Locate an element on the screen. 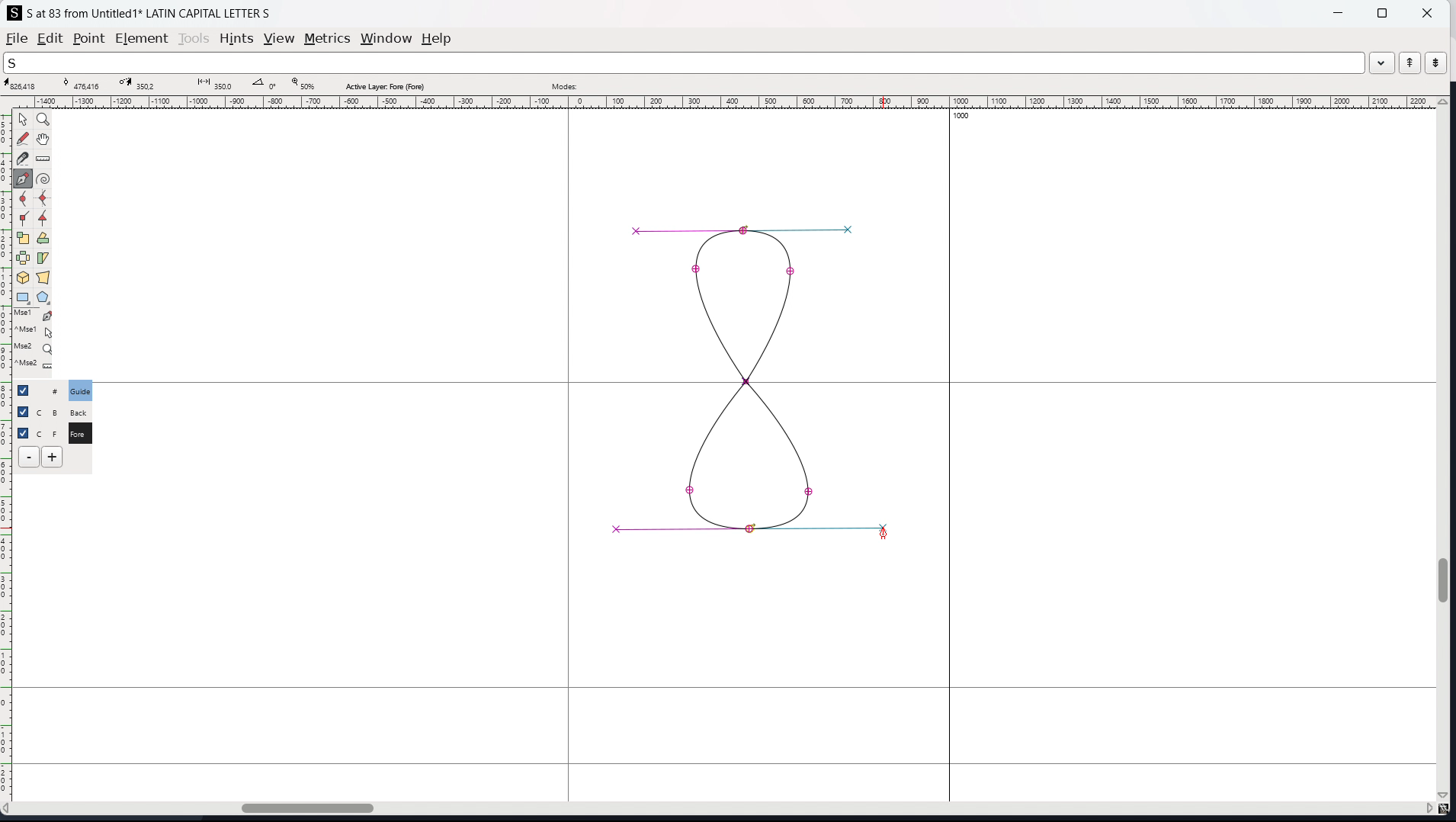 The image size is (1456, 822). skew selection is located at coordinates (43, 259).